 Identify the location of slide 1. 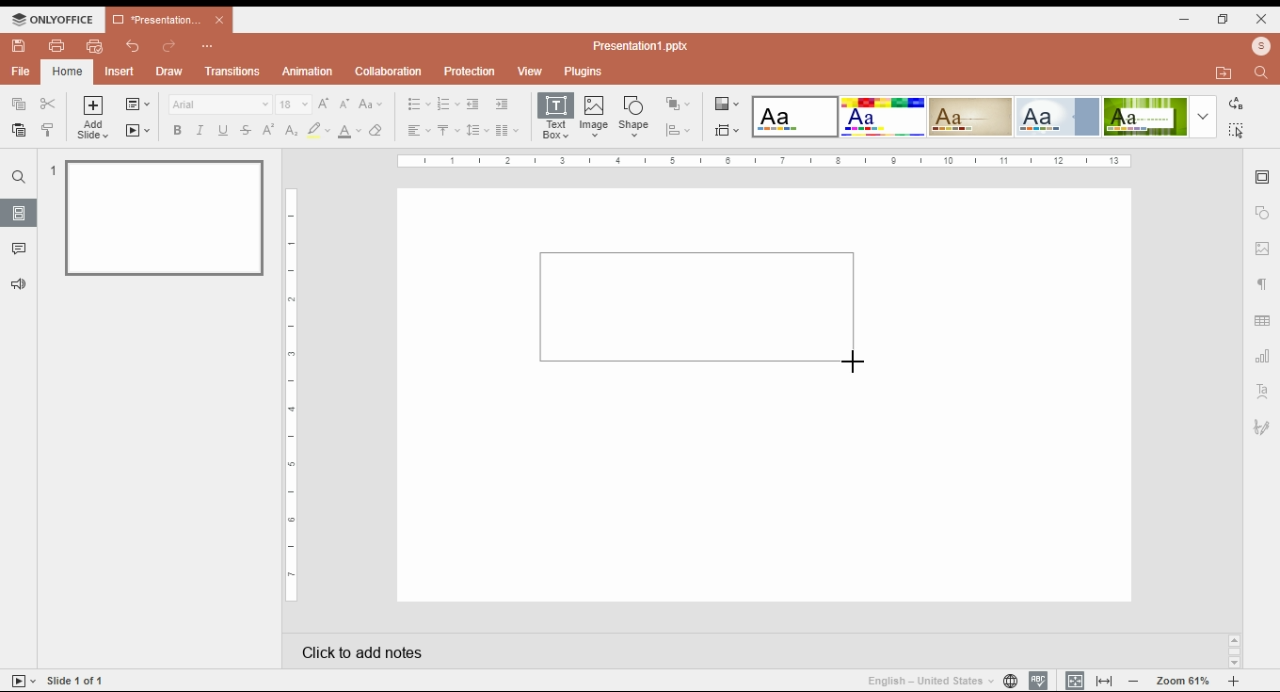
(164, 219).